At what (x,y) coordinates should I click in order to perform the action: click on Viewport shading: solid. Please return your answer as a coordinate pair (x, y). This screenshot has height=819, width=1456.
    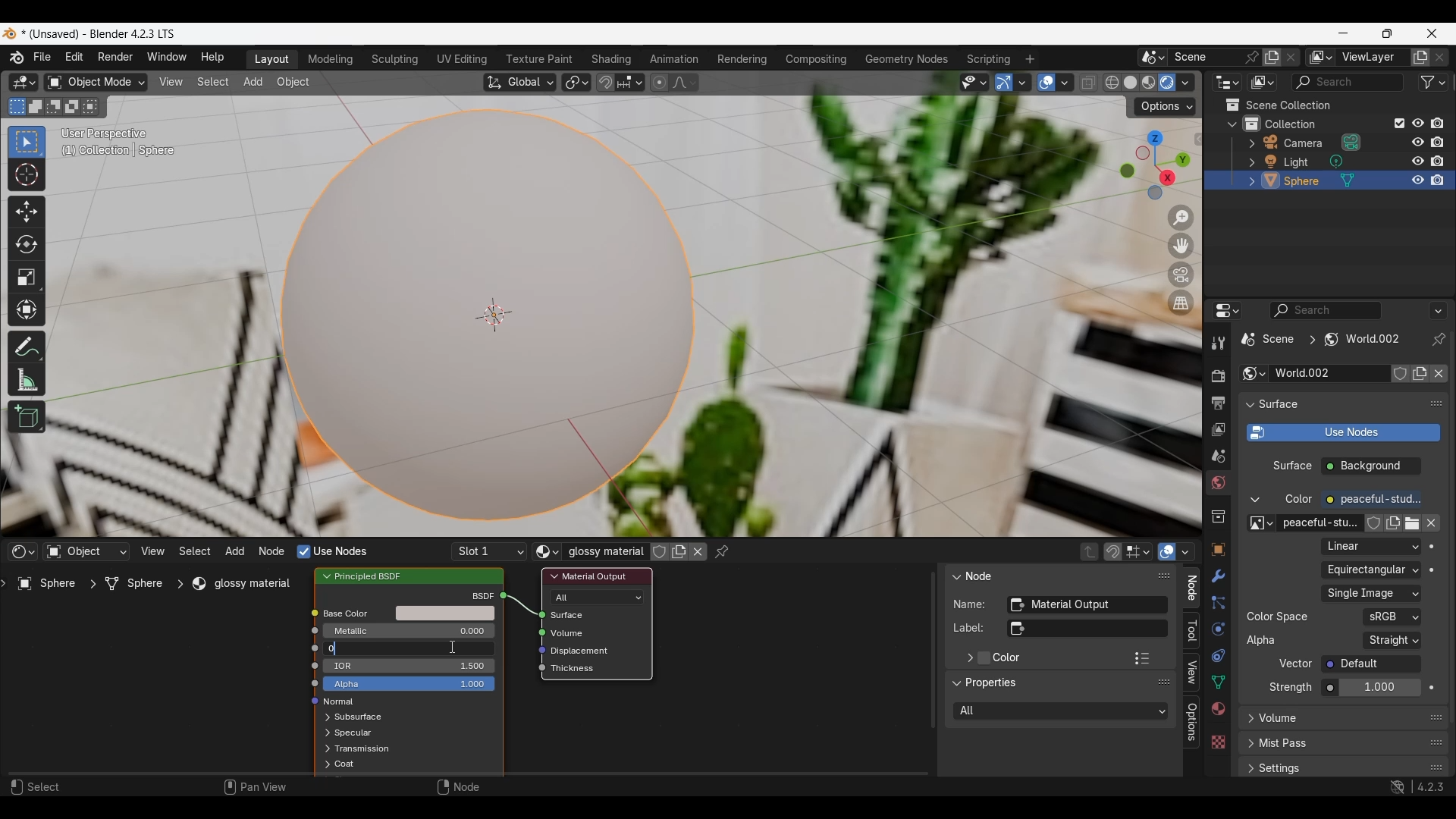
    Looking at the image, I should click on (1130, 82).